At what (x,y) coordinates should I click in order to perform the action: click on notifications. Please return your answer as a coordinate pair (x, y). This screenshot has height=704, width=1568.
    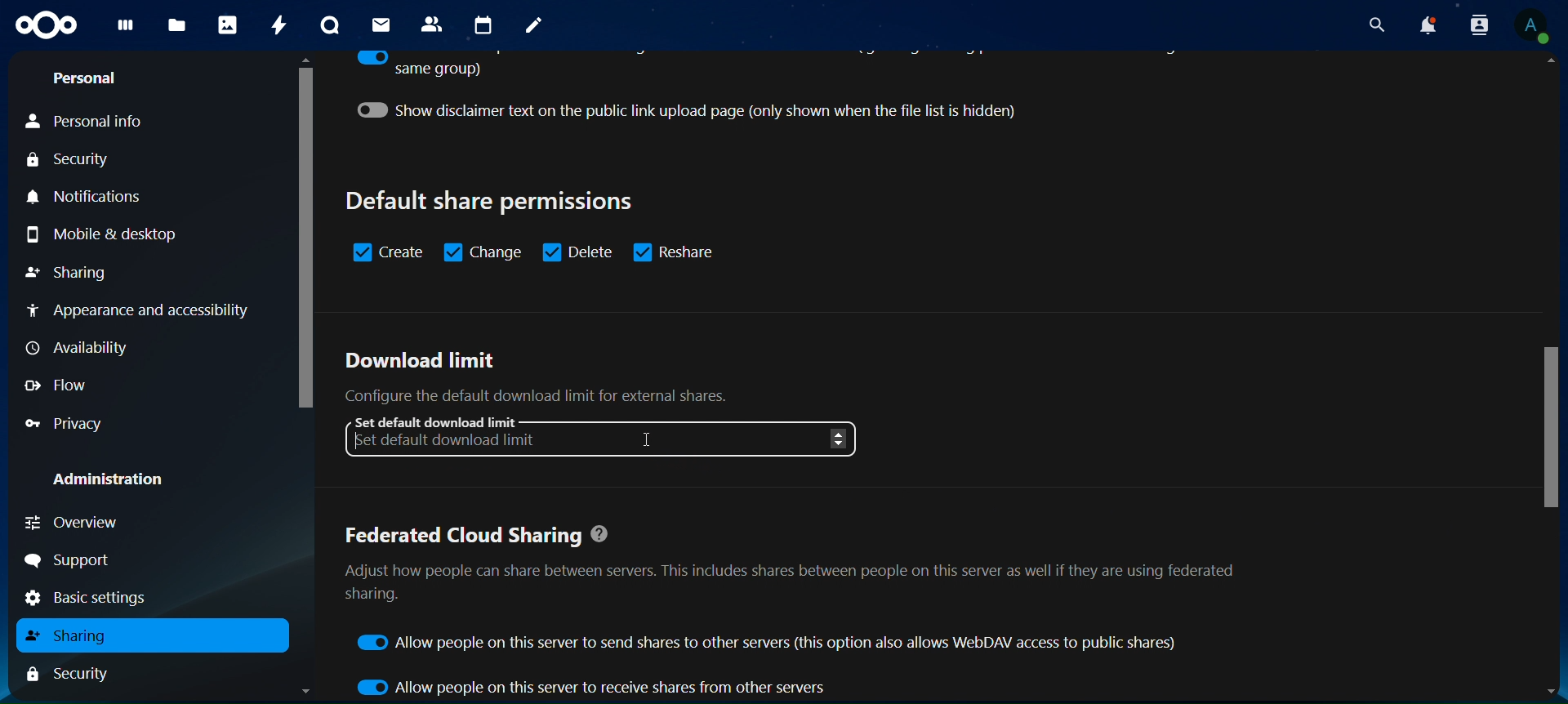
    Looking at the image, I should click on (99, 198).